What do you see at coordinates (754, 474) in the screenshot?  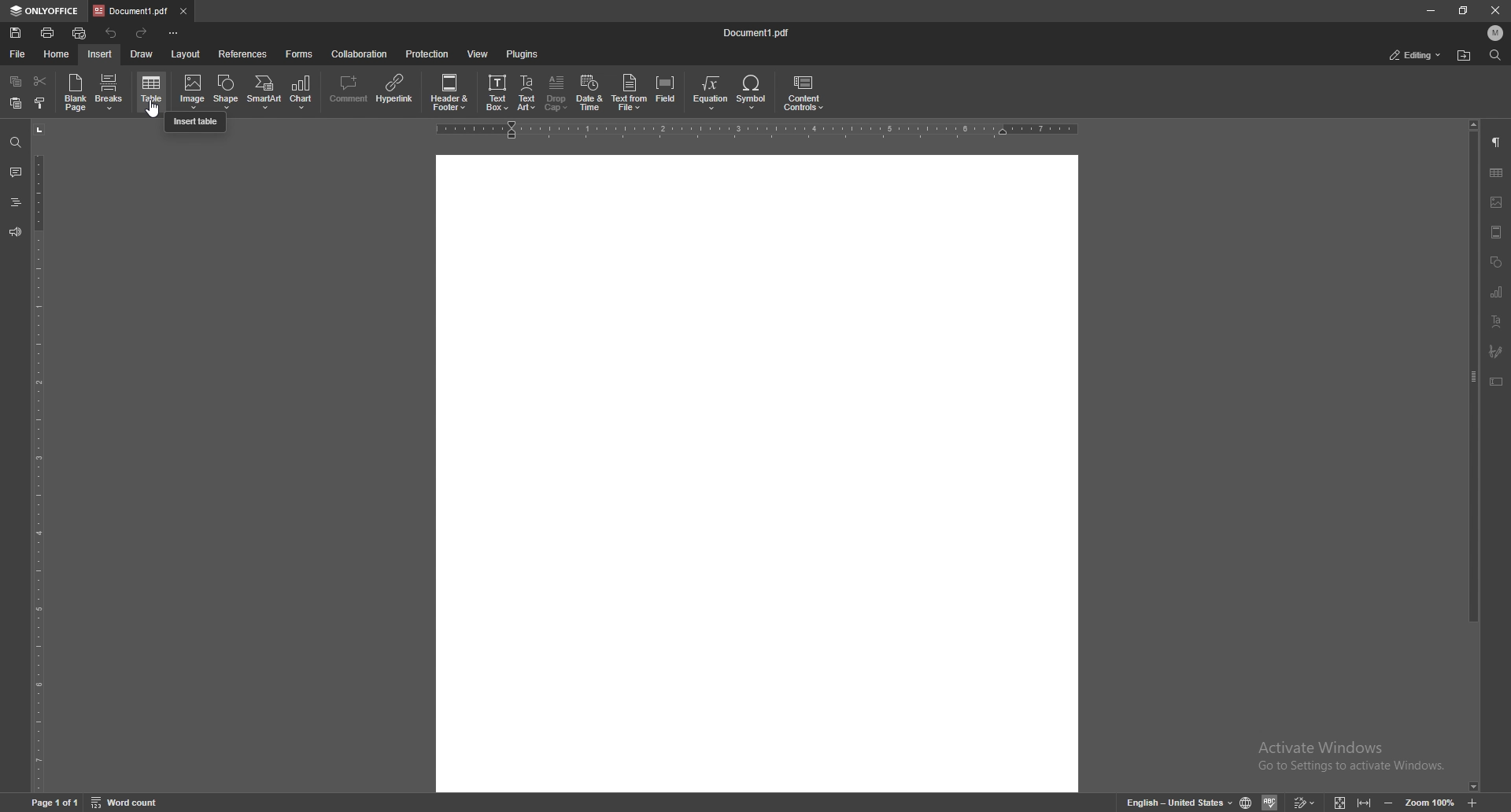 I see `document` at bounding box center [754, 474].